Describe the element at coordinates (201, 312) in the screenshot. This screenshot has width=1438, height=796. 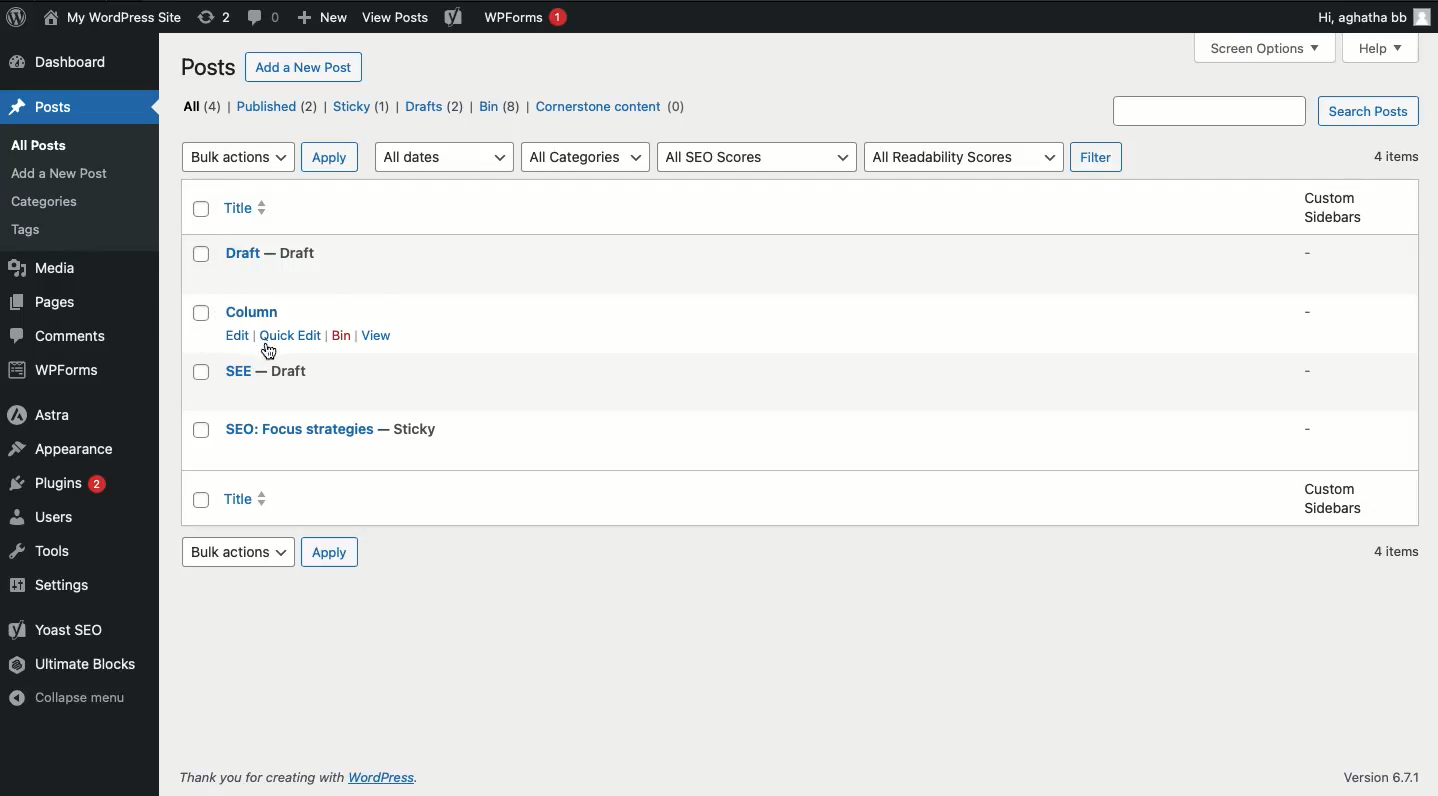
I see `checkbox` at that location.